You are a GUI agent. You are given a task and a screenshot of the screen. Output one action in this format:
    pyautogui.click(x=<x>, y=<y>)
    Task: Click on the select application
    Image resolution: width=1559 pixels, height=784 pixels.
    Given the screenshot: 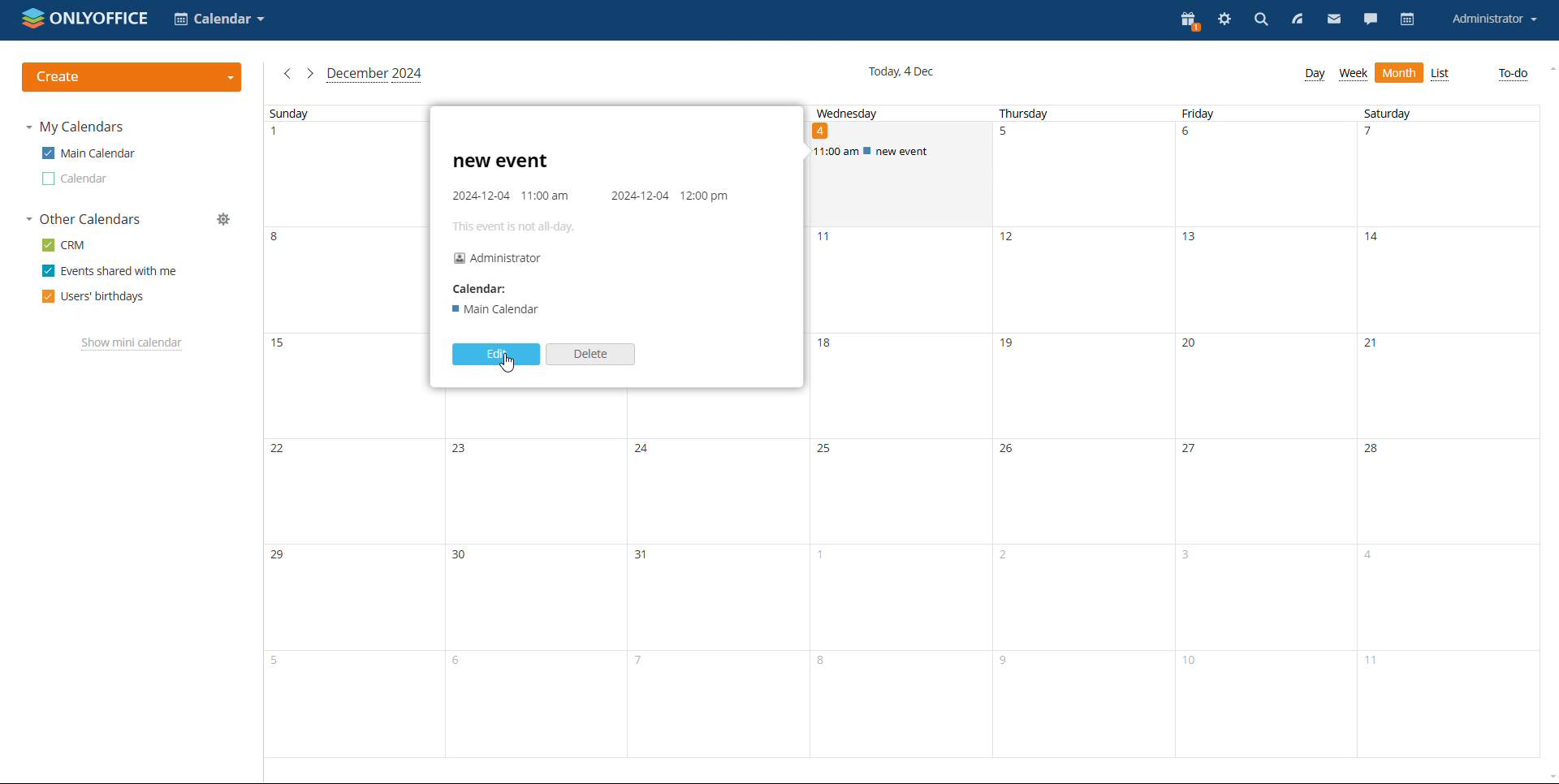 What is the action you would take?
    pyautogui.click(x=218, y=19)
    